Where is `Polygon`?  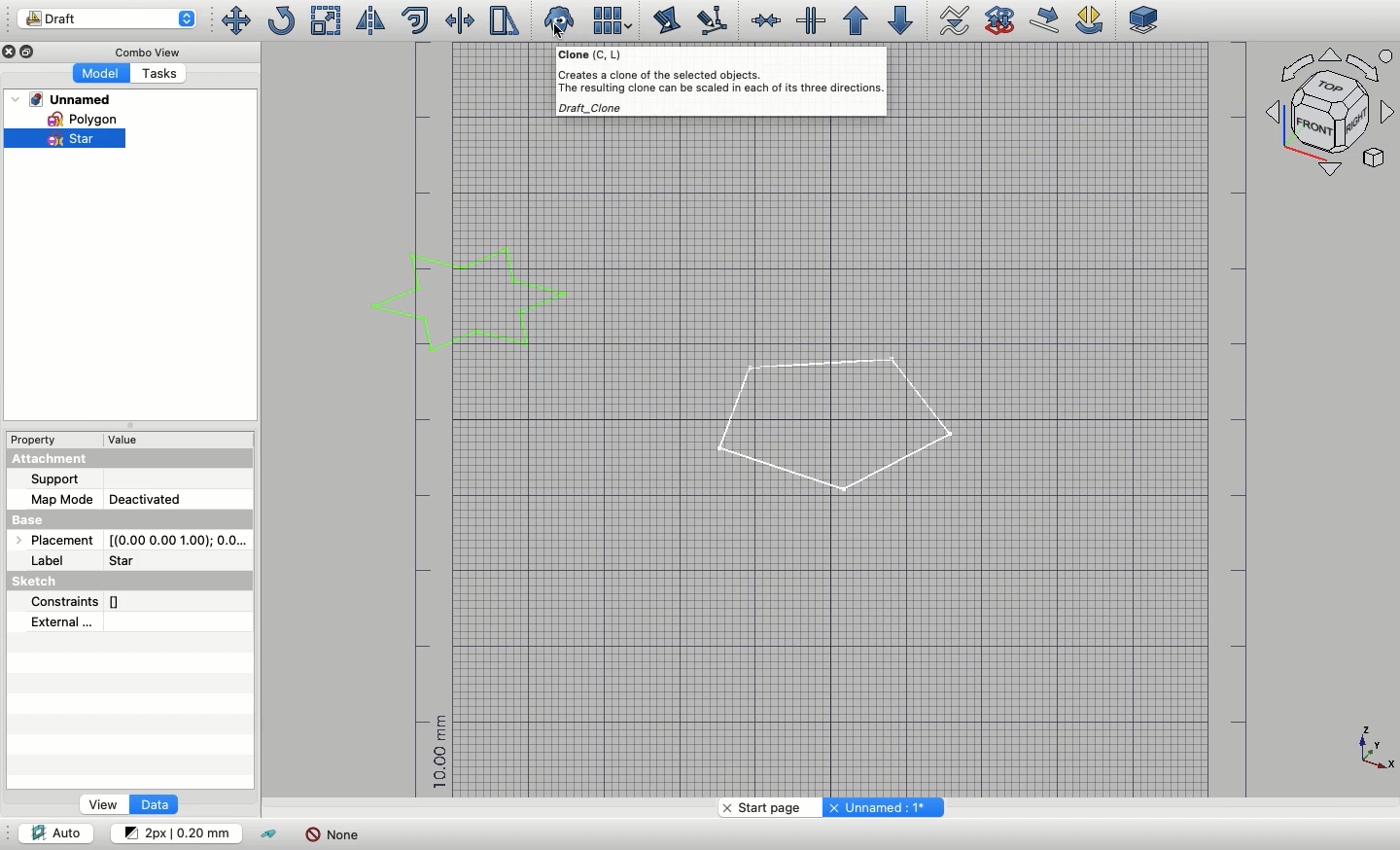
Polygon is located at coordinates (79, 119).